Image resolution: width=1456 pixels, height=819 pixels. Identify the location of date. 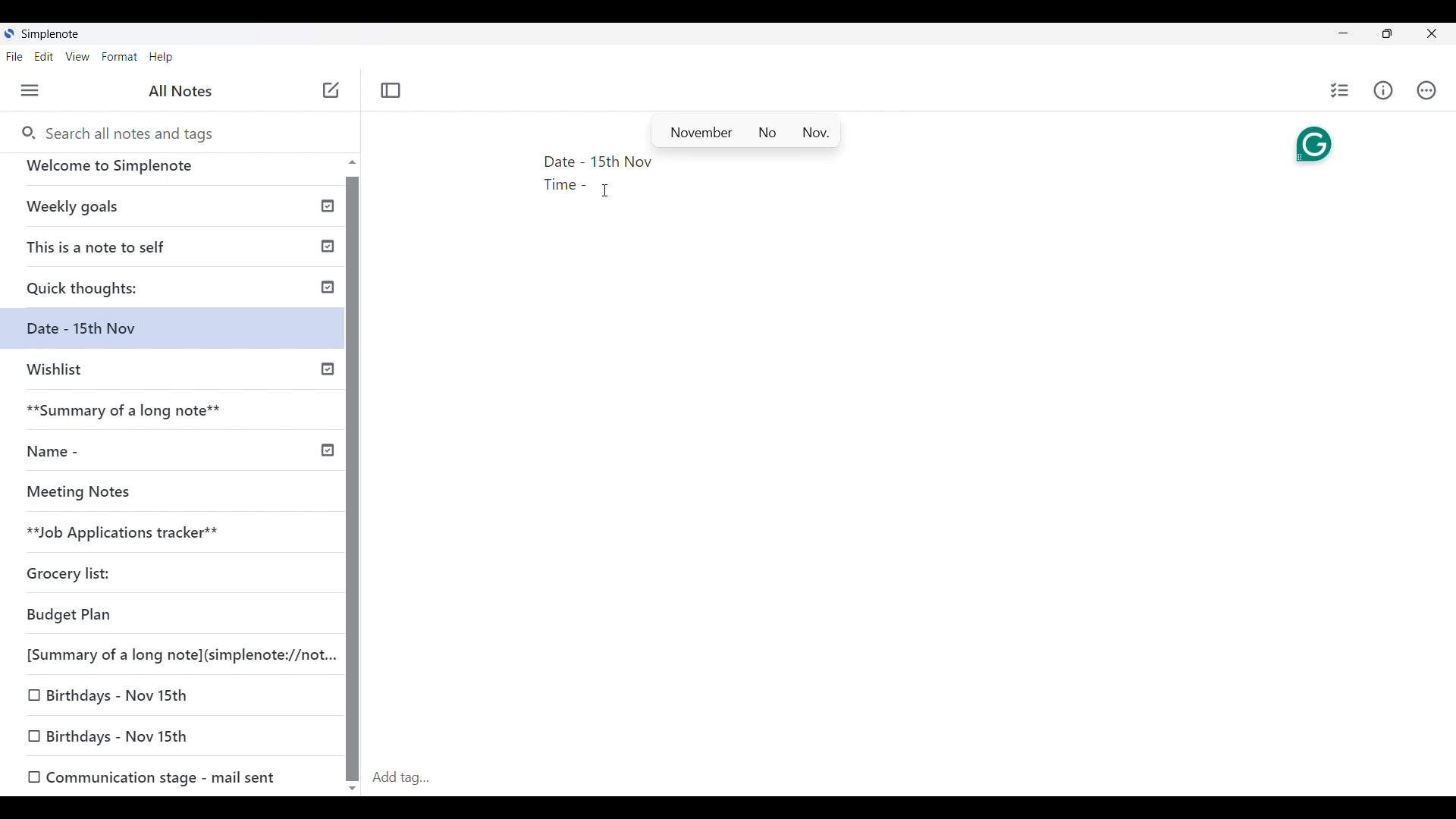
(162, 616).